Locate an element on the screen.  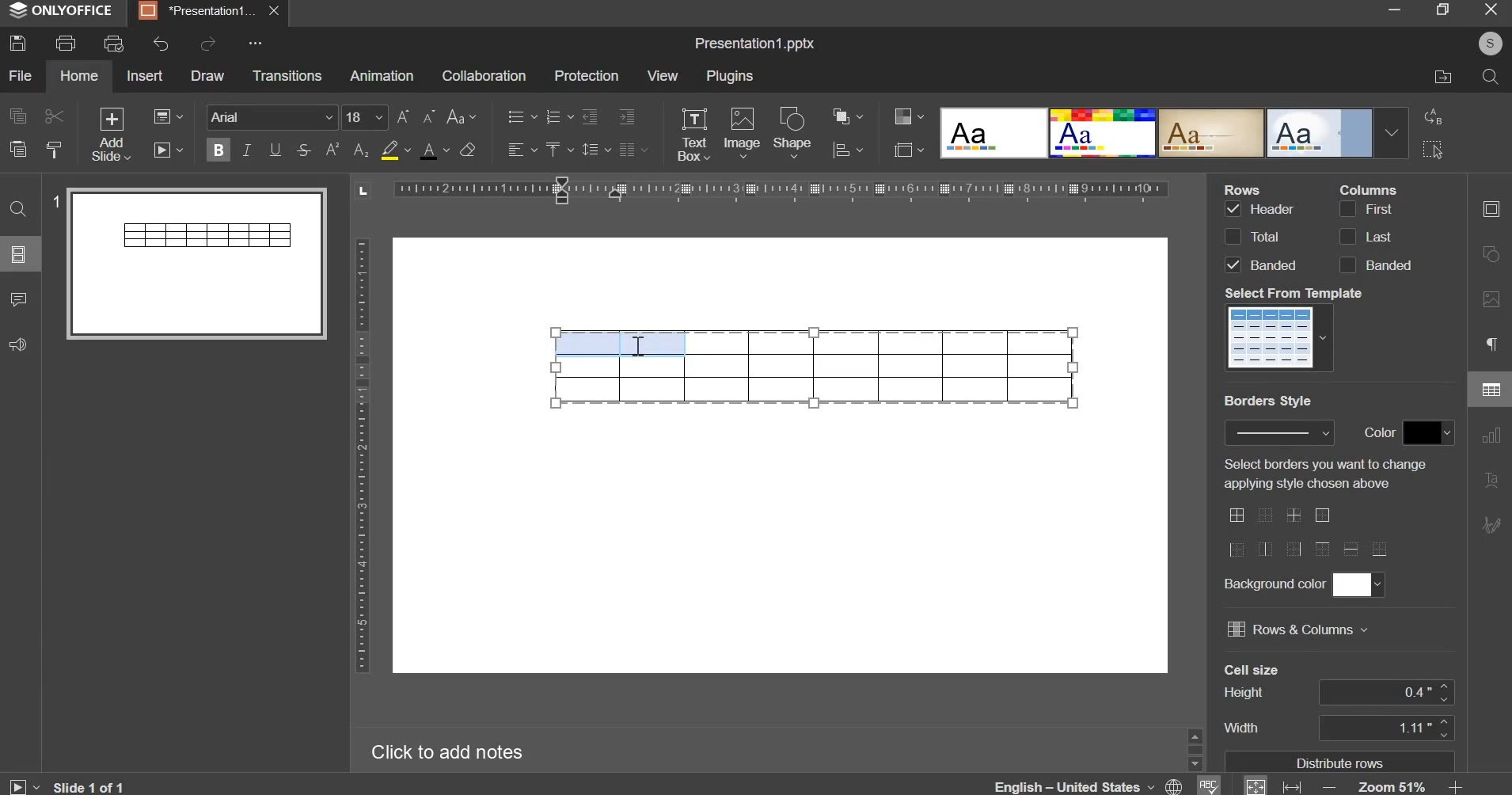
bullets is located at coordinates (521, 116).